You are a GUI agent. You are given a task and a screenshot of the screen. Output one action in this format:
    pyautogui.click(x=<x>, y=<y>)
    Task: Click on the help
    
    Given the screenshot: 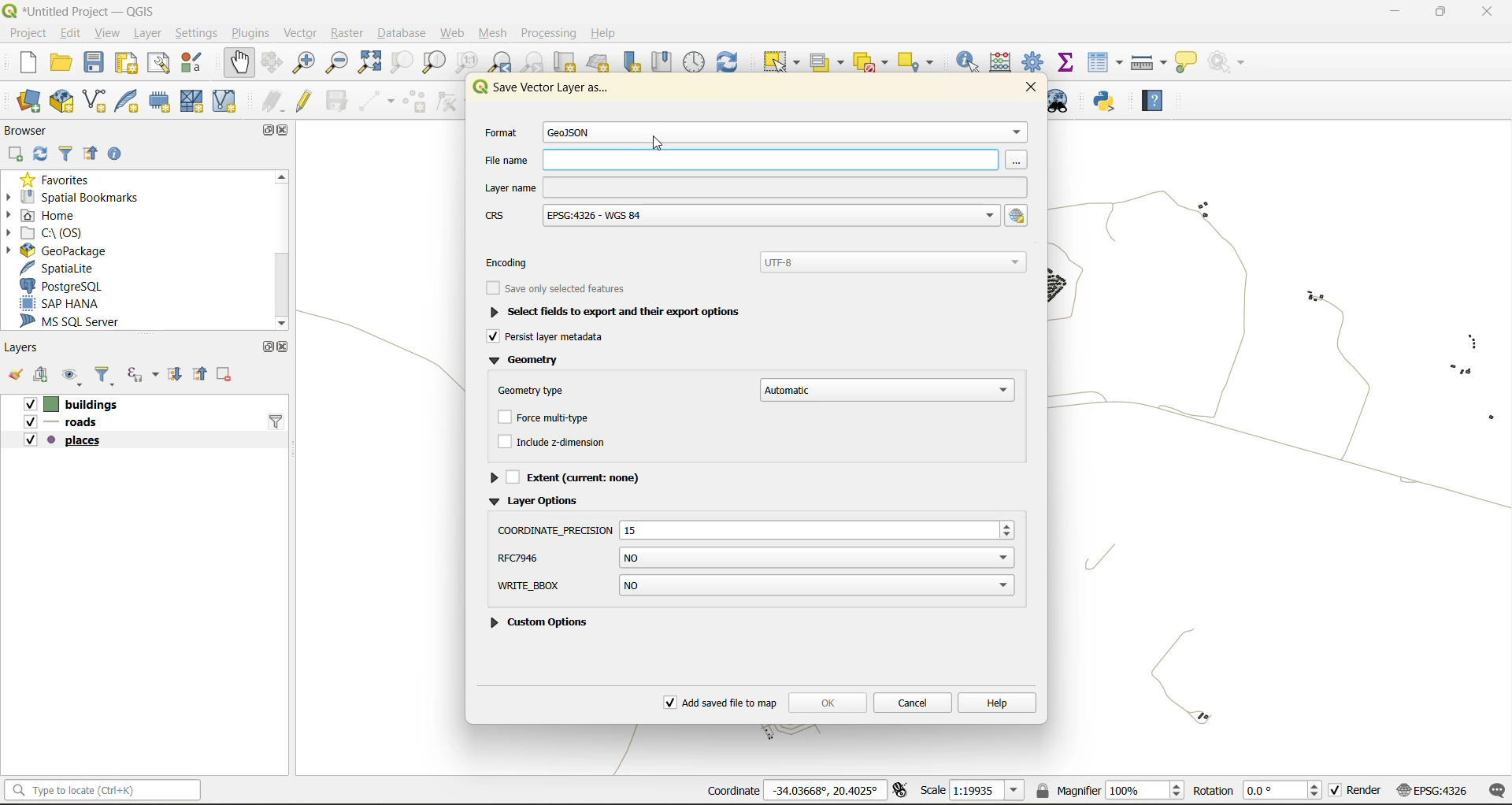 What is the action you would take?
    pyautogui.click(x=1002, y=702)
    